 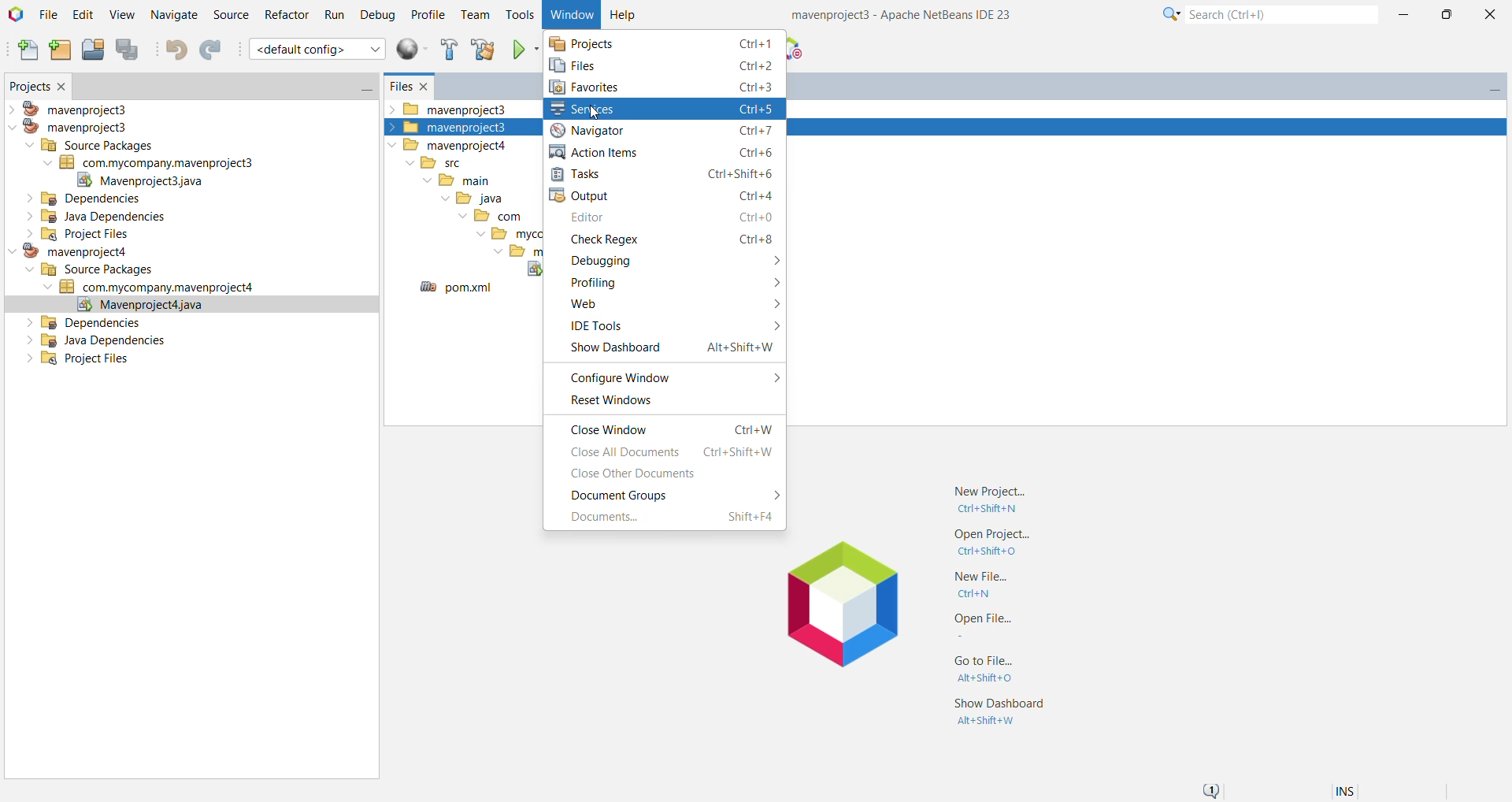 What do you see at coordinates (996, 713) in the screenshot?
I see `Show Dashboard` at bounding box center [996, 713].